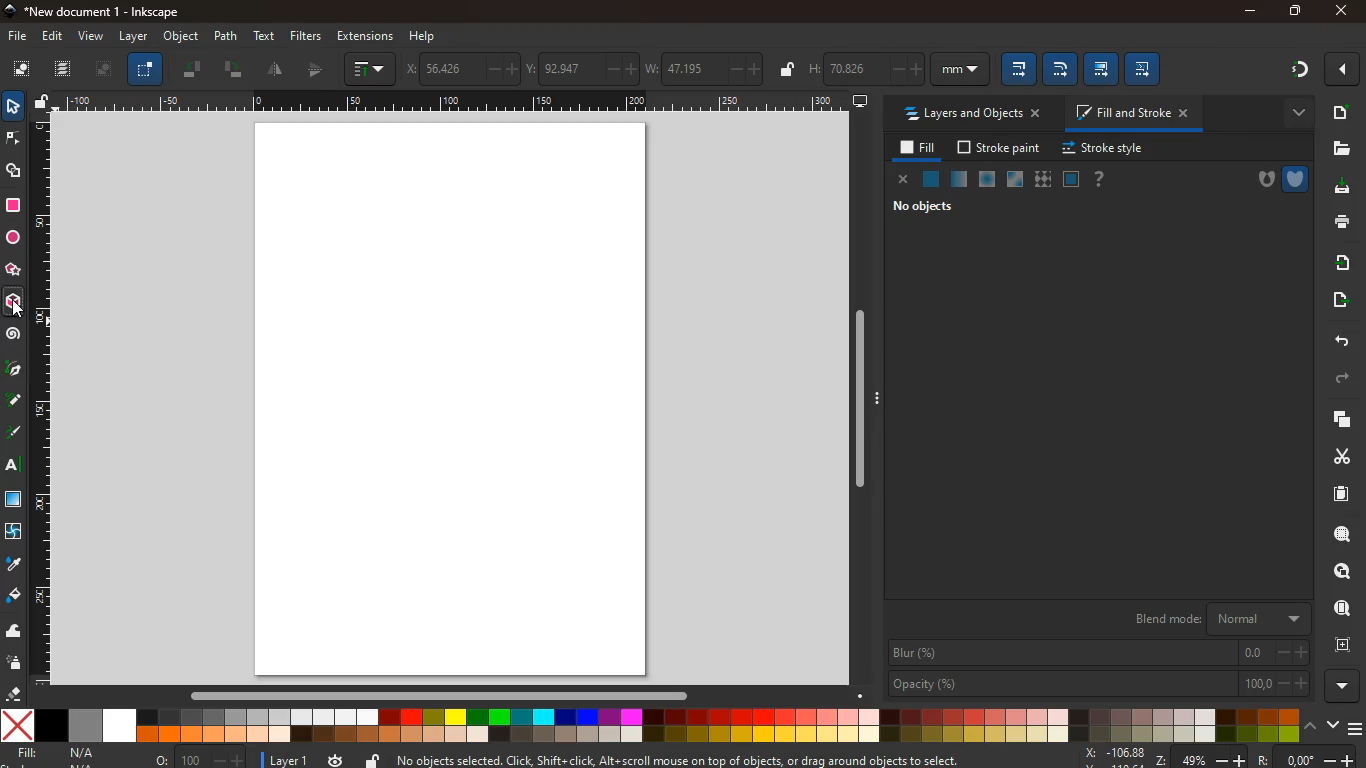 This screenshot has width=1366, height=768. What do you see at coordinates (1336, 609) in the screenshot?
I see `use` at bounding box center [1336, 609].